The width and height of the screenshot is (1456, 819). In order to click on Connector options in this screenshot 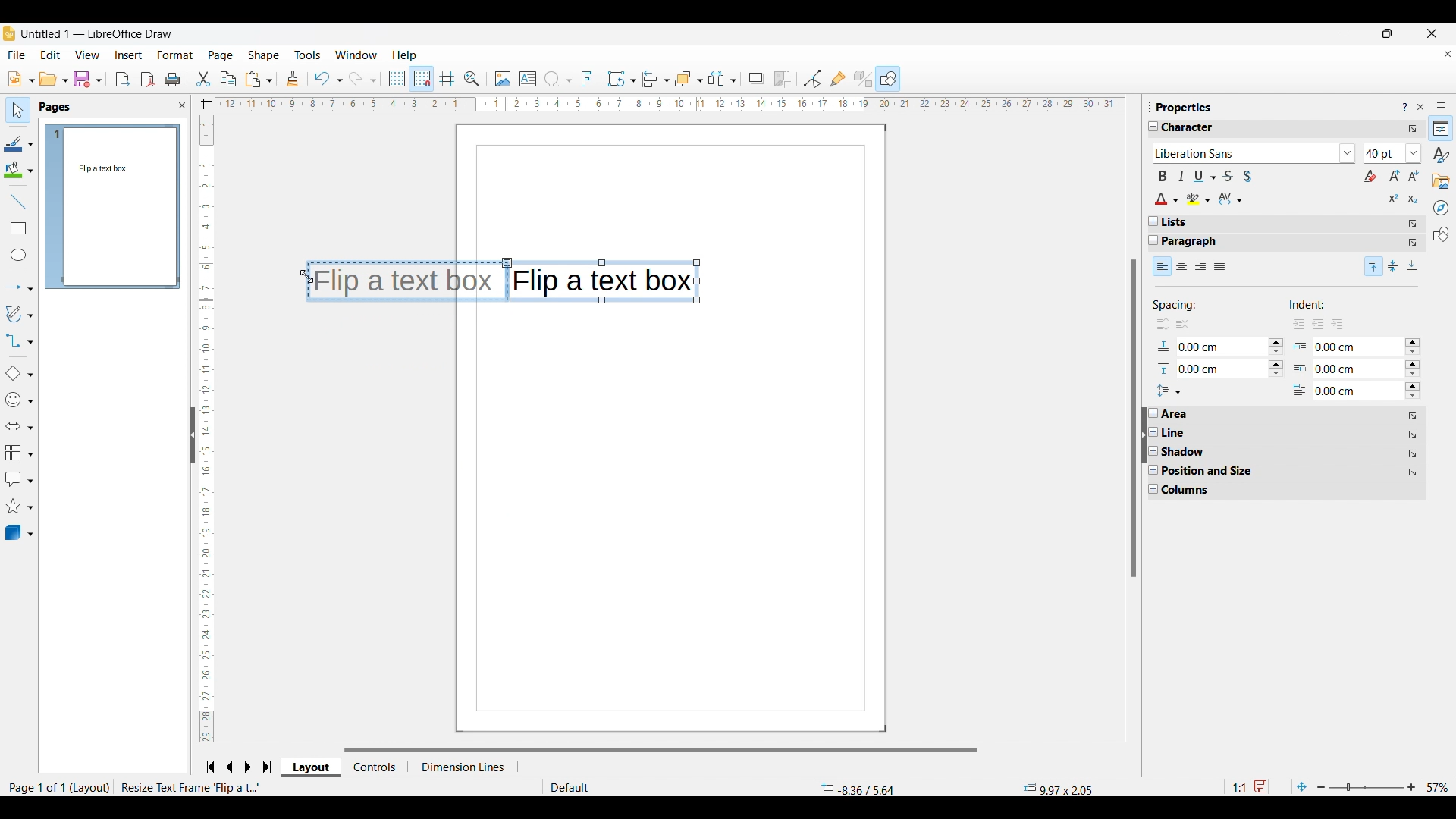, I will do `click(19, 340)`.